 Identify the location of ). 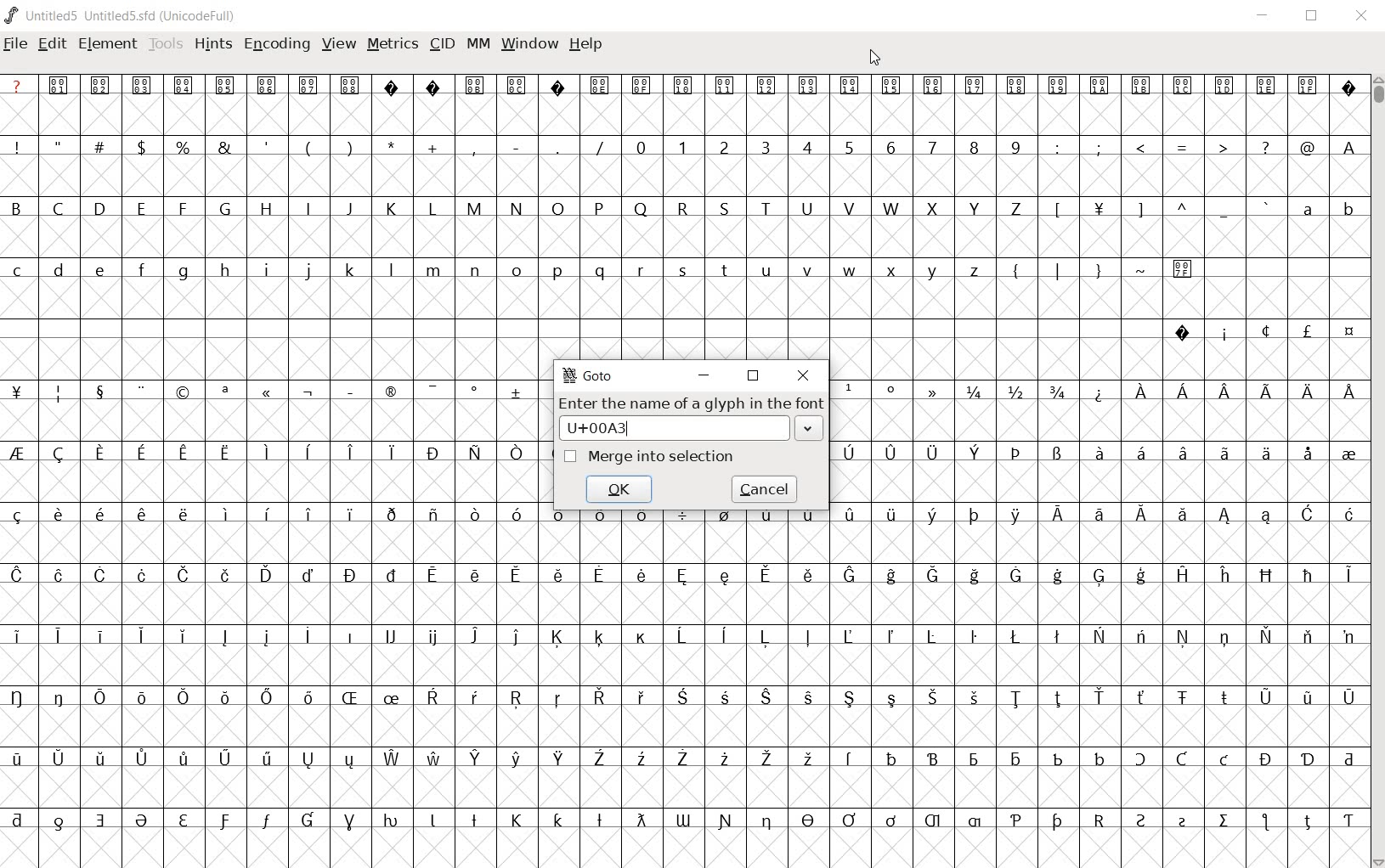
(352, 146).